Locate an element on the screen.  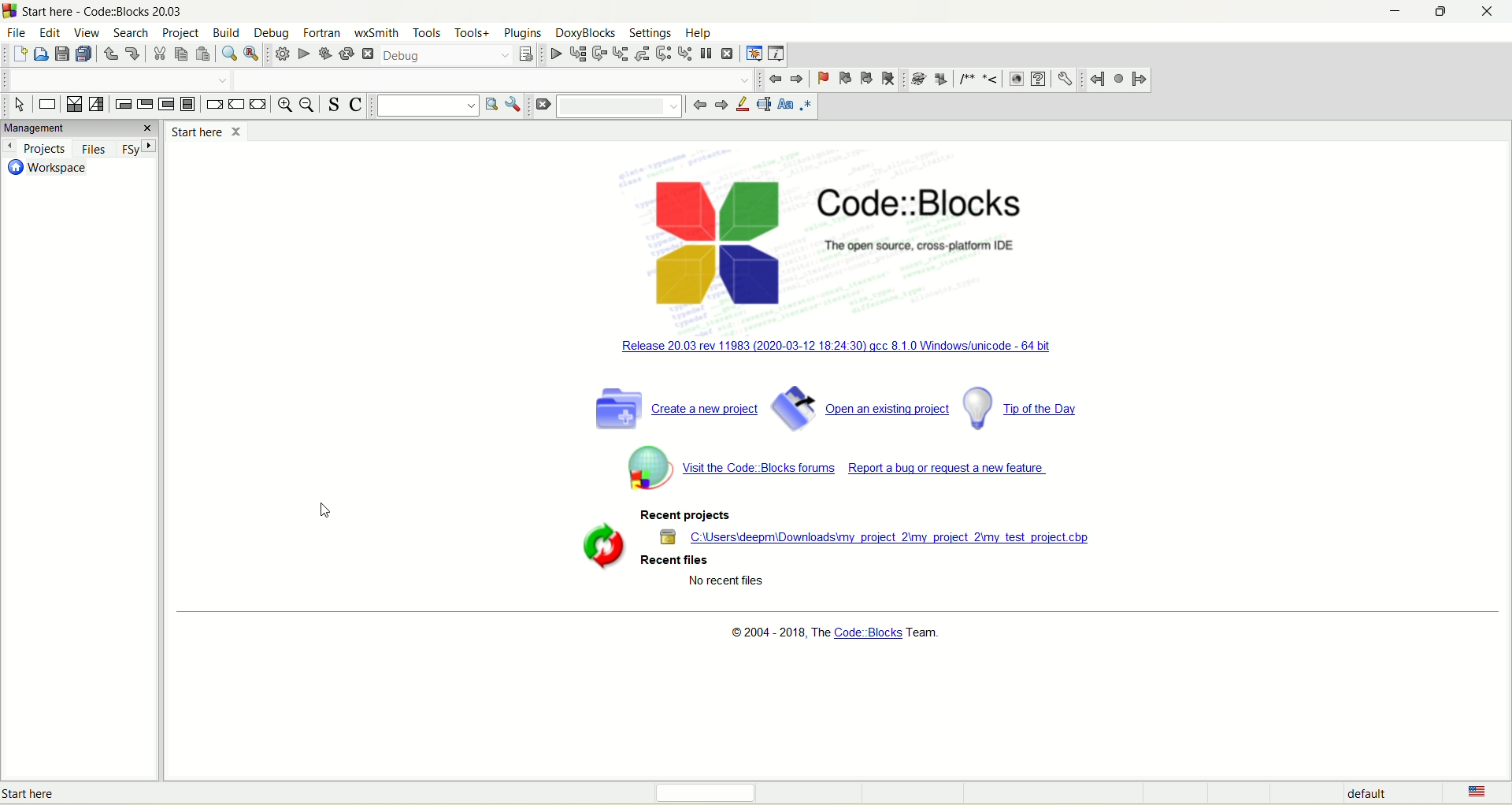
open an existing project is located at coordinates (862, 407).